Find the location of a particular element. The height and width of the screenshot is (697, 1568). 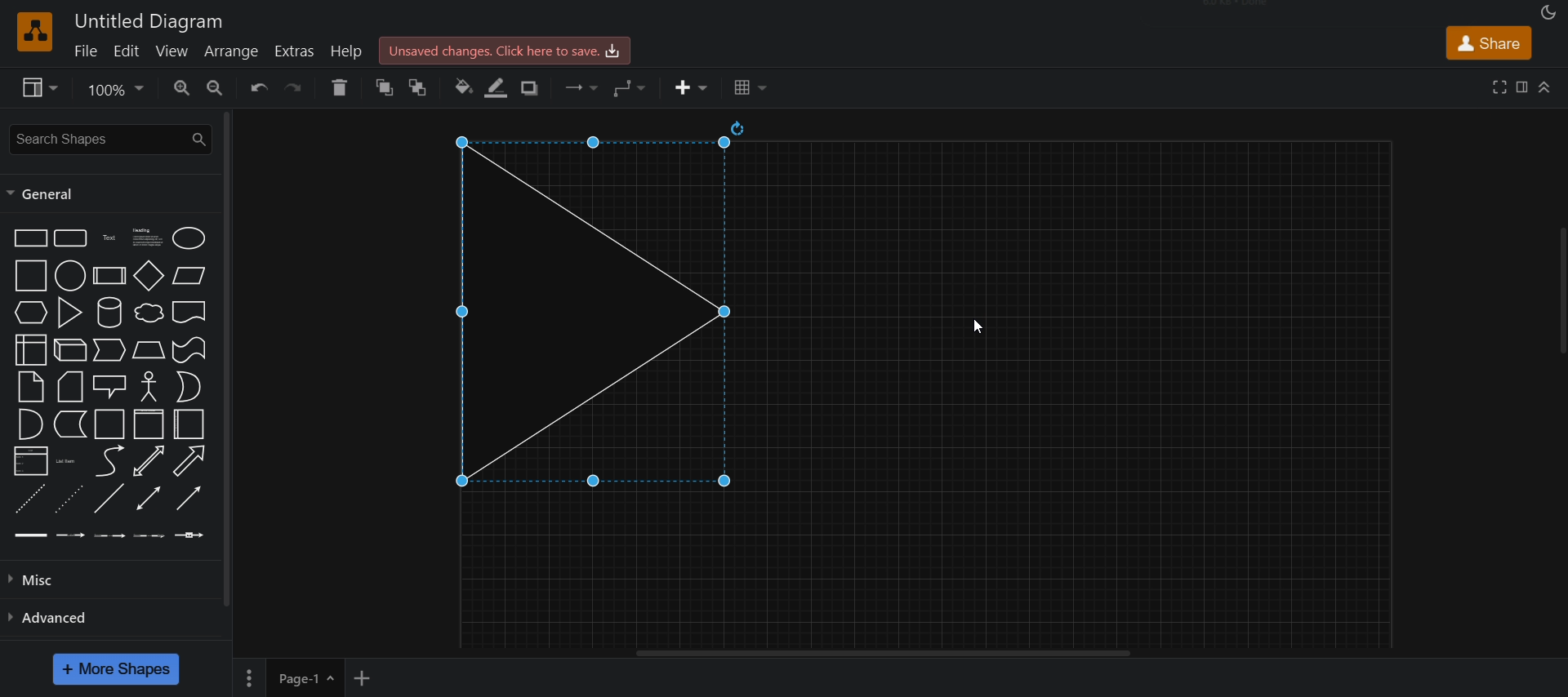

view is located at coordinates (173, 51).